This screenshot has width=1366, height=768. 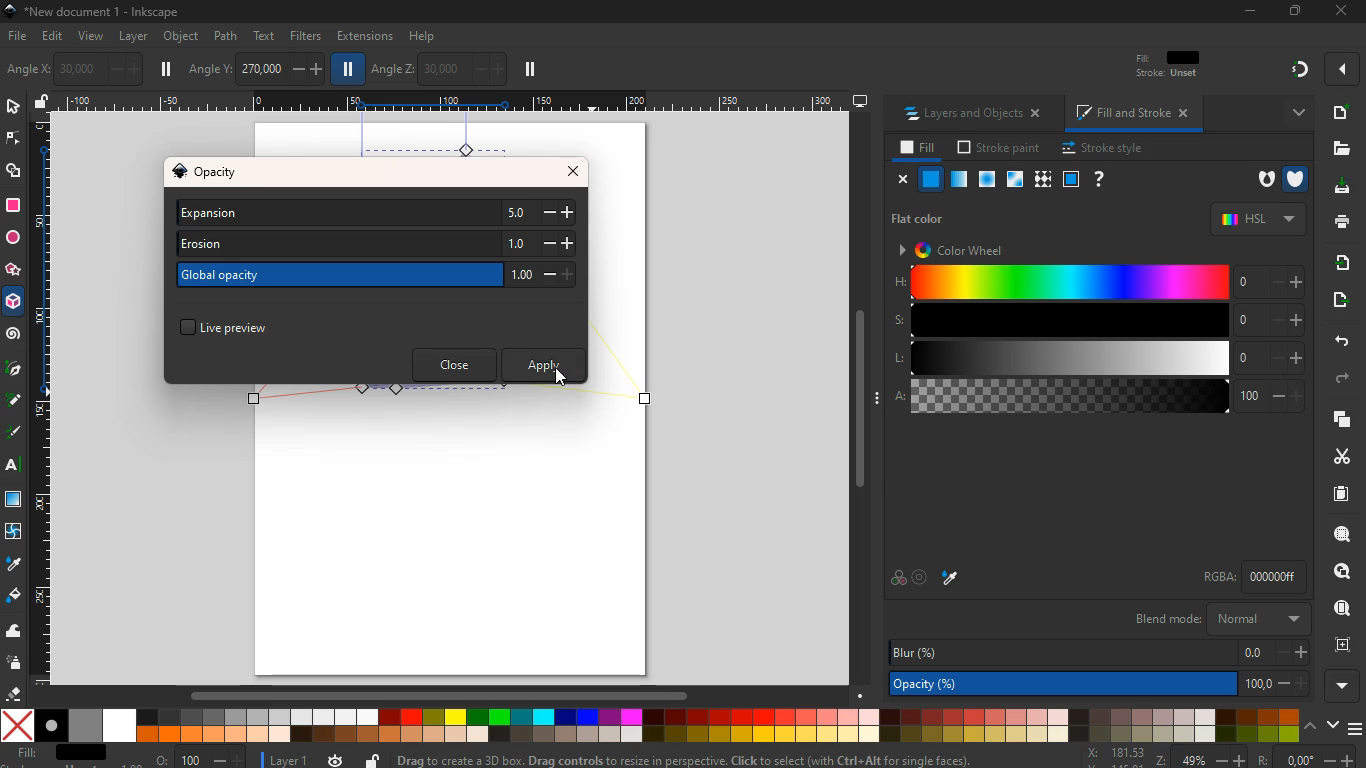 What do you see at coordinates (1013, 180) in the screenshot?
I see `glass` at bounding box center [1013, 180].